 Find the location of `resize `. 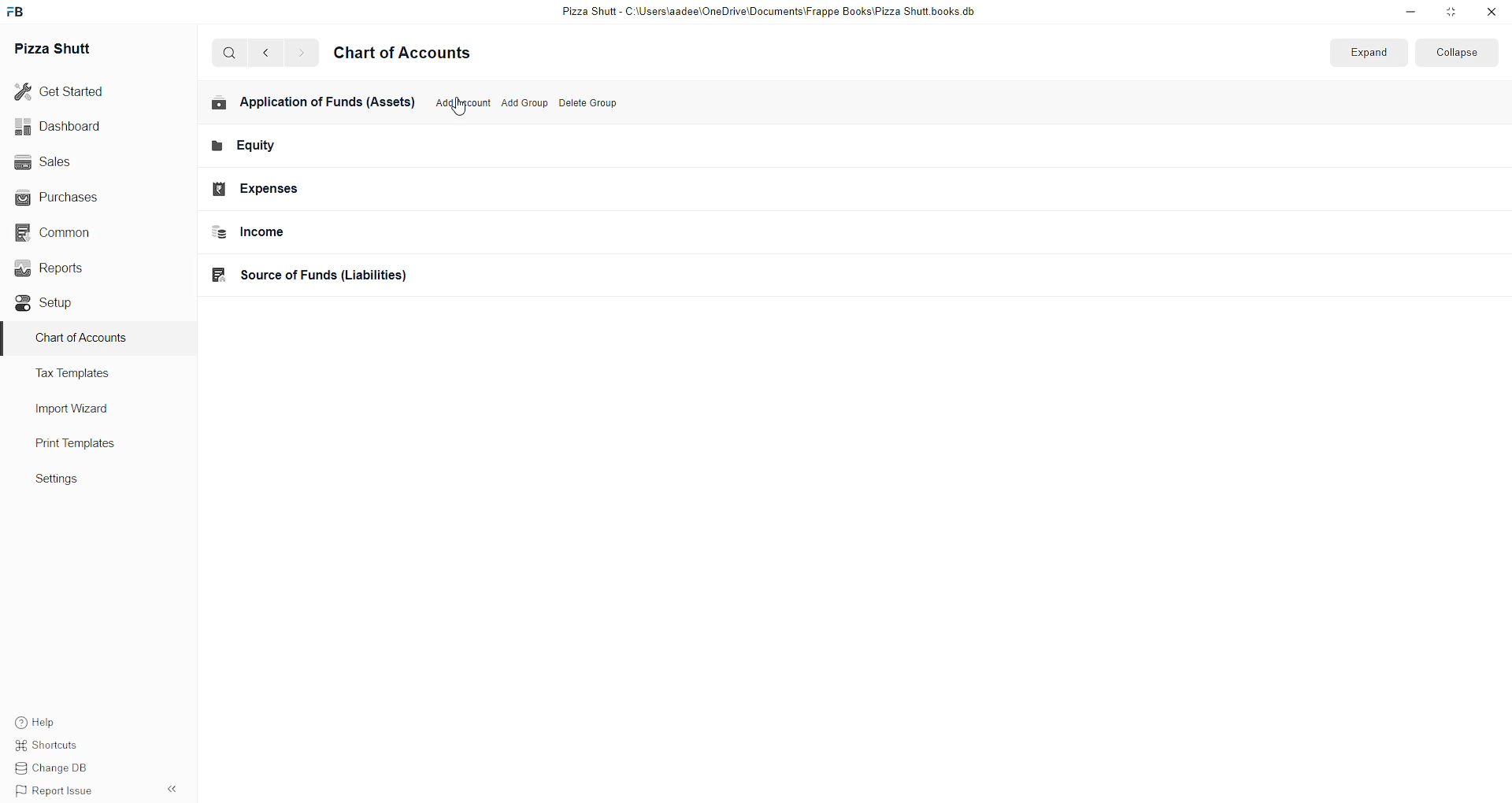

resize  is located at coordinates (1451, 13).